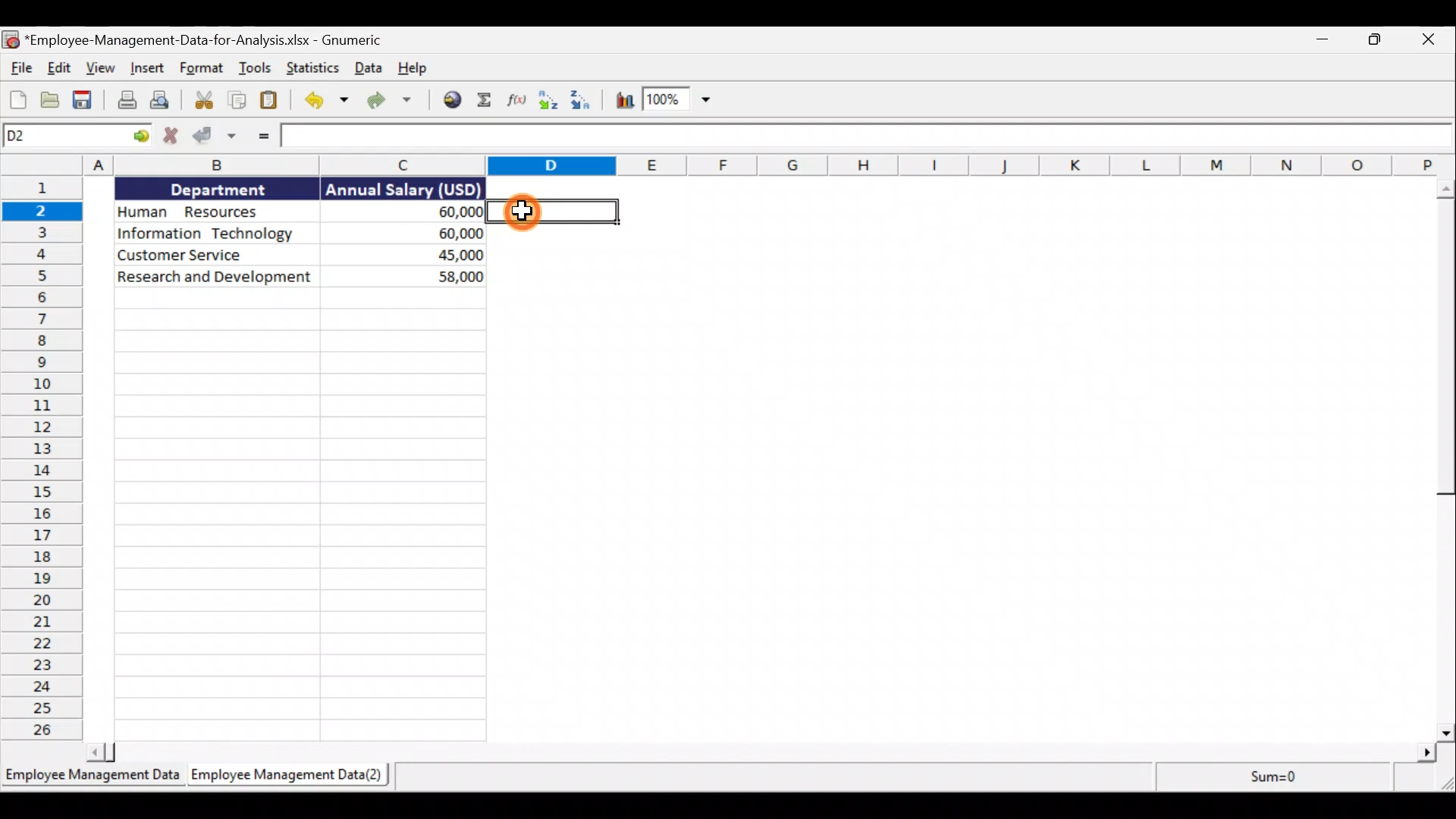 This screenshot has height=819, width=1456. I want to click on Print preview, so click(162, 100).